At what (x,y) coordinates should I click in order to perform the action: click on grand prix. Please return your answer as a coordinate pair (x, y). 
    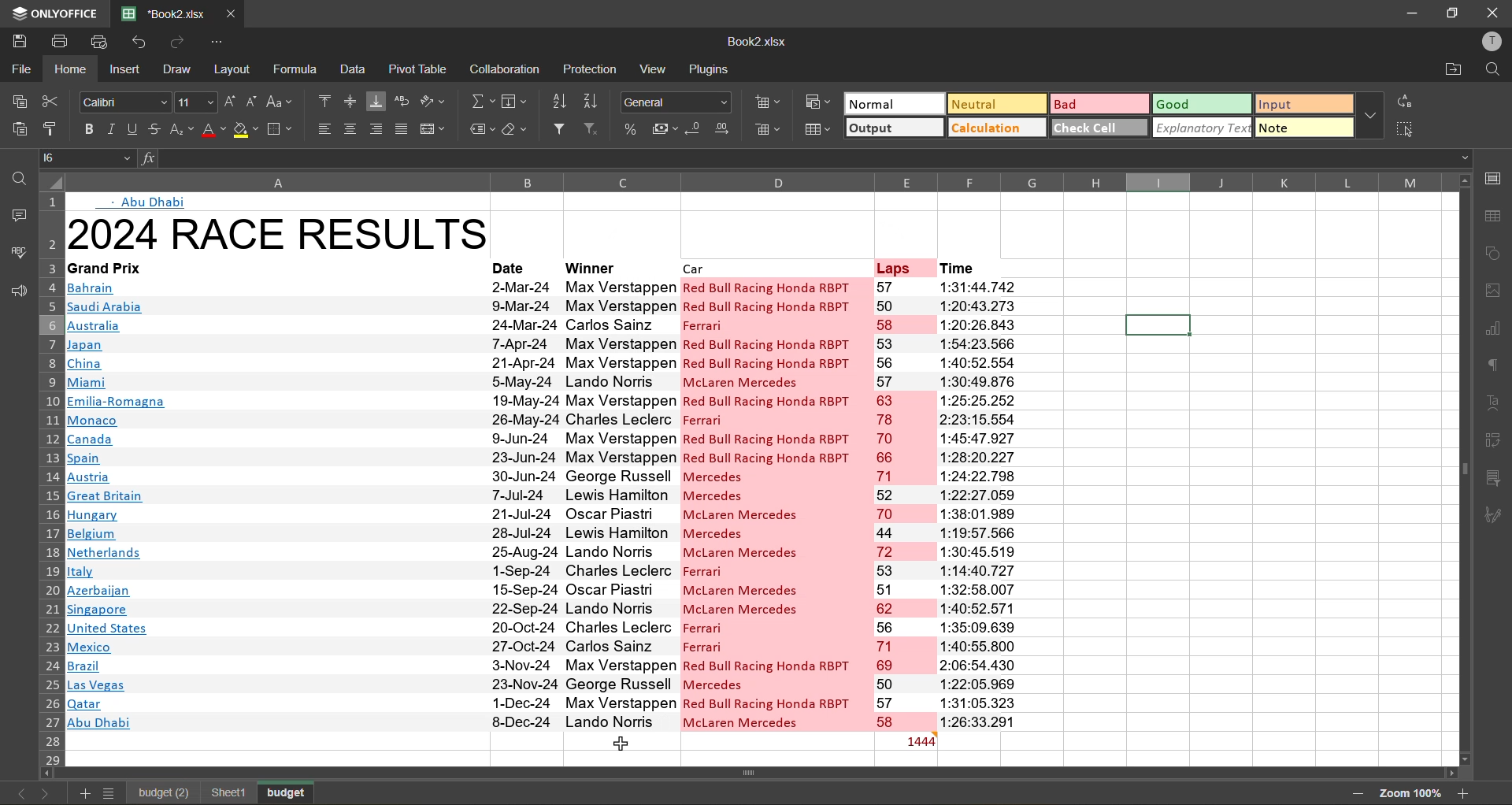
    Looking at the image, I should click on (262, 268).